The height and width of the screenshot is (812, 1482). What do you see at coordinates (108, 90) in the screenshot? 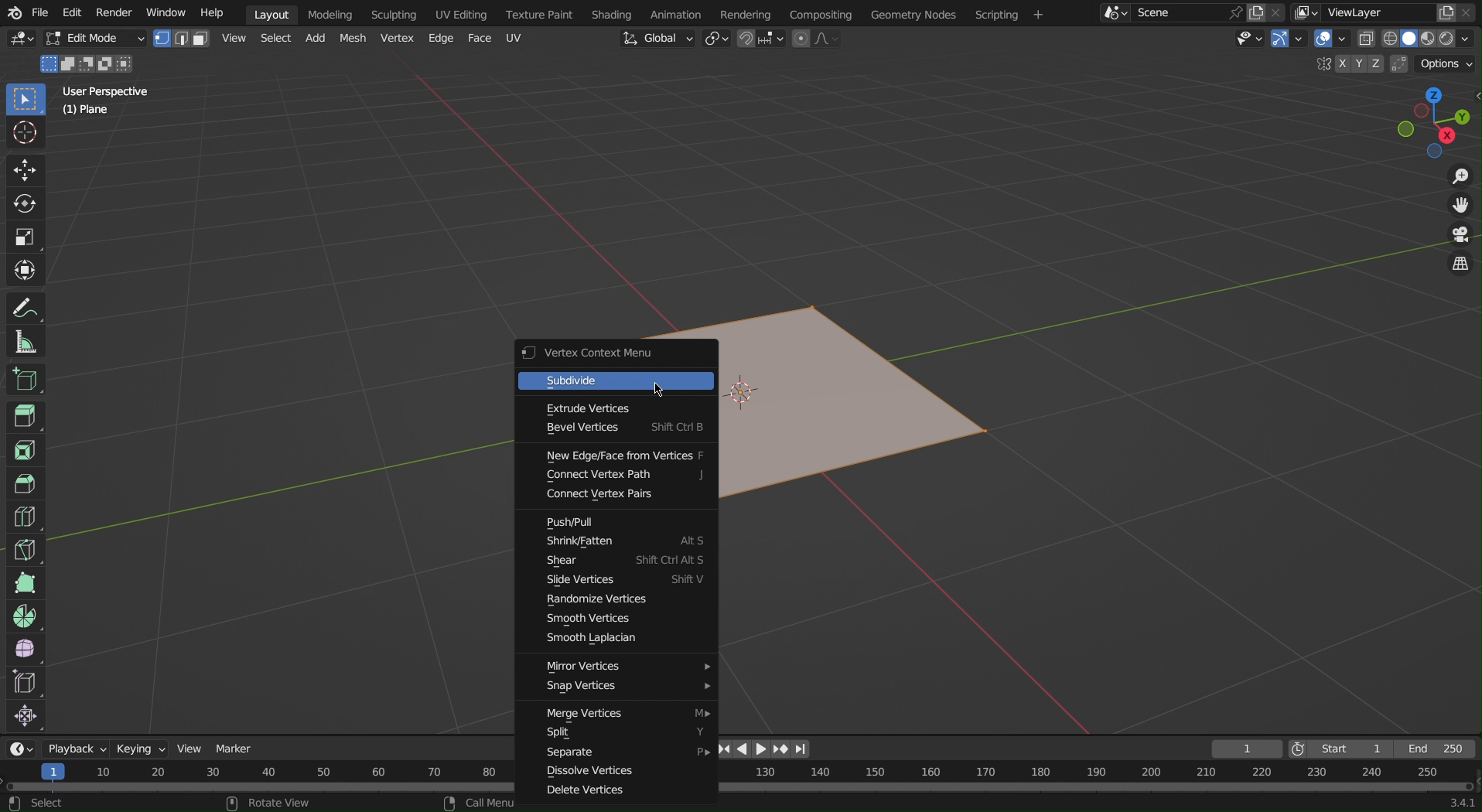
I see `User Perspective` at bounding box center [108, 90].